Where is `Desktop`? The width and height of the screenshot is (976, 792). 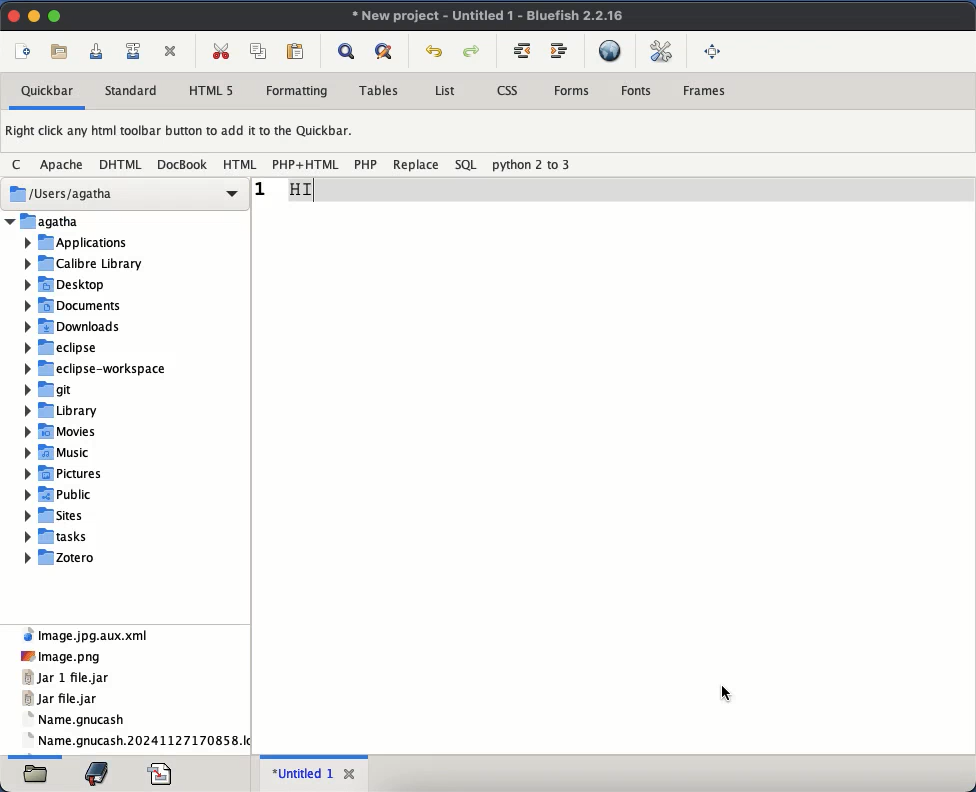
Desktop is located at coordinates (64, 285).